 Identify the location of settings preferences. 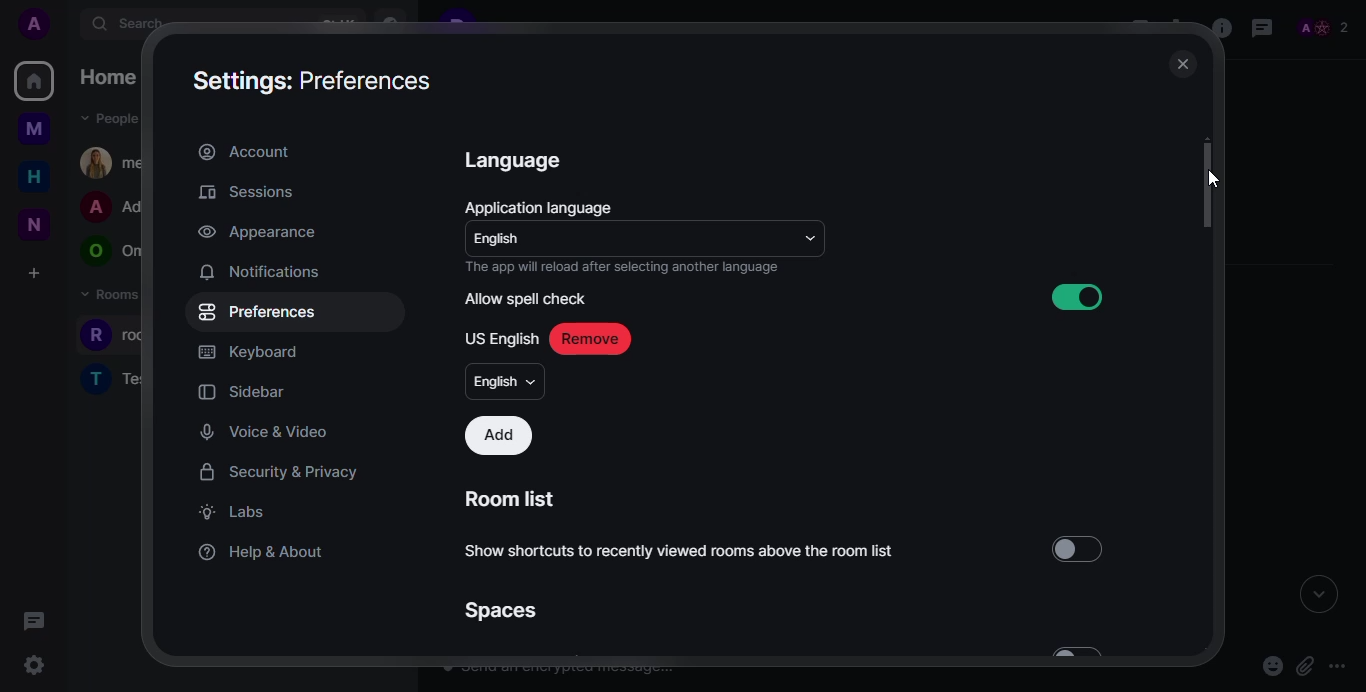
(316, 79).